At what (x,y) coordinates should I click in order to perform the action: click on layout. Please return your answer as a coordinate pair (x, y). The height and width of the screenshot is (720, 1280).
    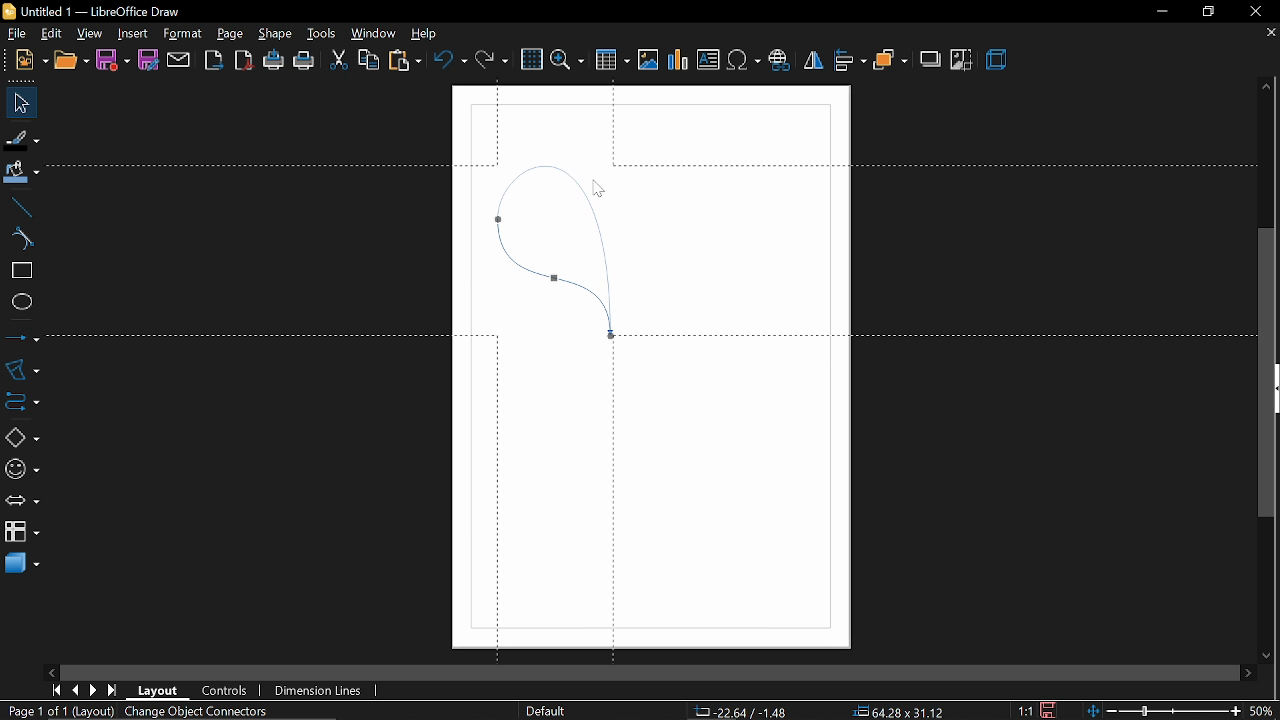
    Looking at the image, I should click on (159, 691).